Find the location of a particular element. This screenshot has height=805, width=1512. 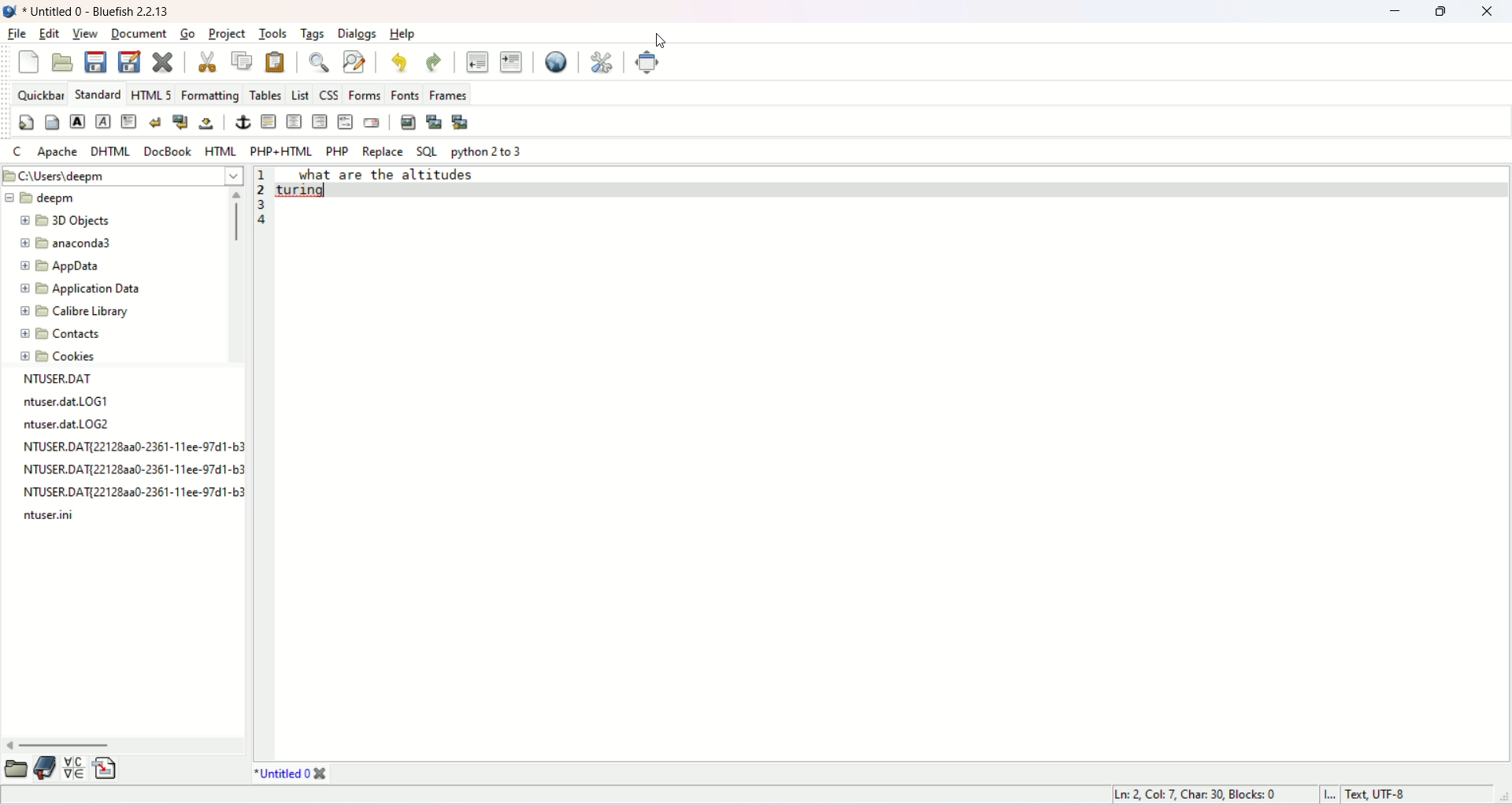

close current file is located at coordinates (161, 62).